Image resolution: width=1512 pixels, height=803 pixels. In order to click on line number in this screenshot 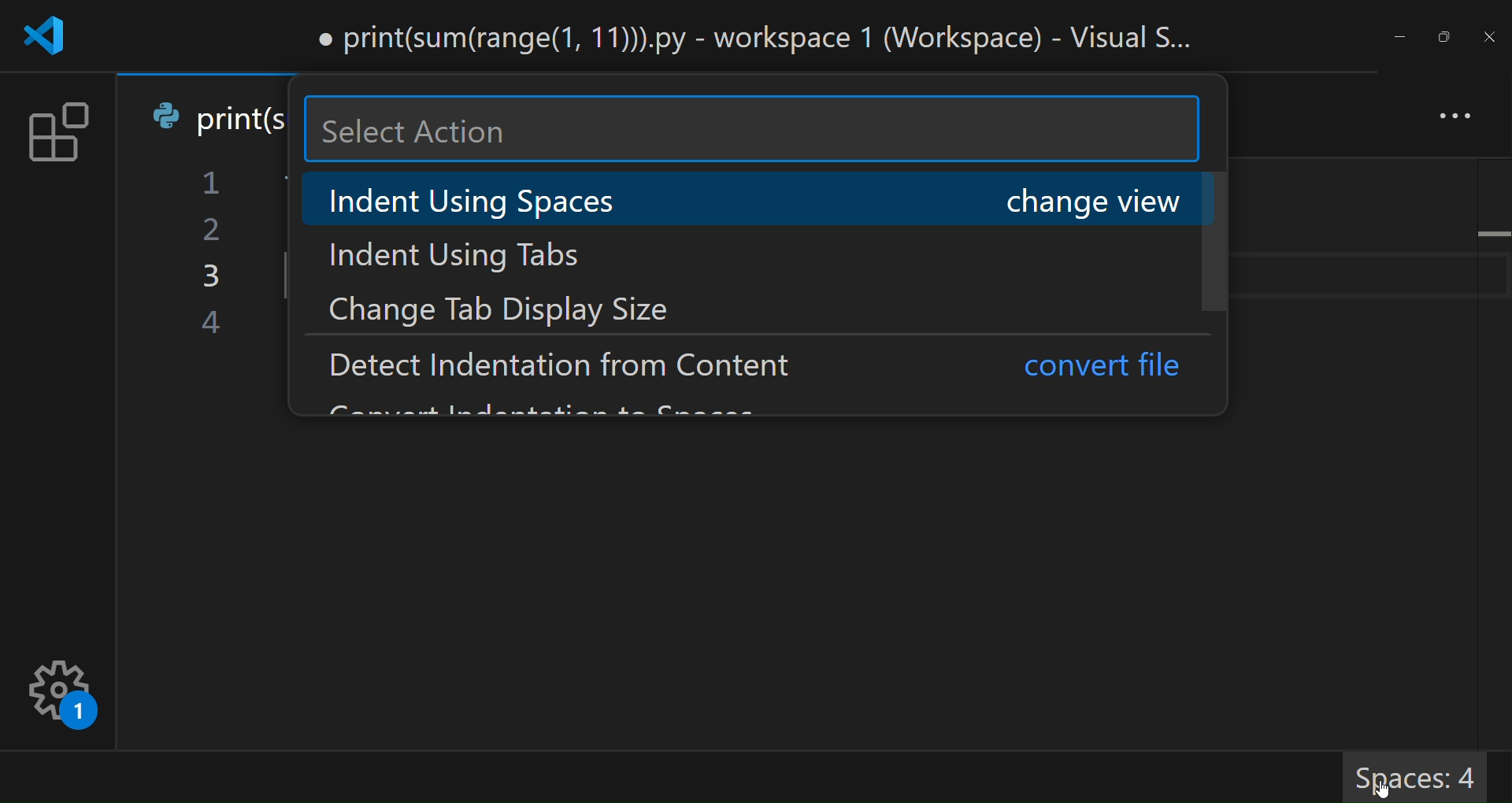, I will do `click(206, 257)`.